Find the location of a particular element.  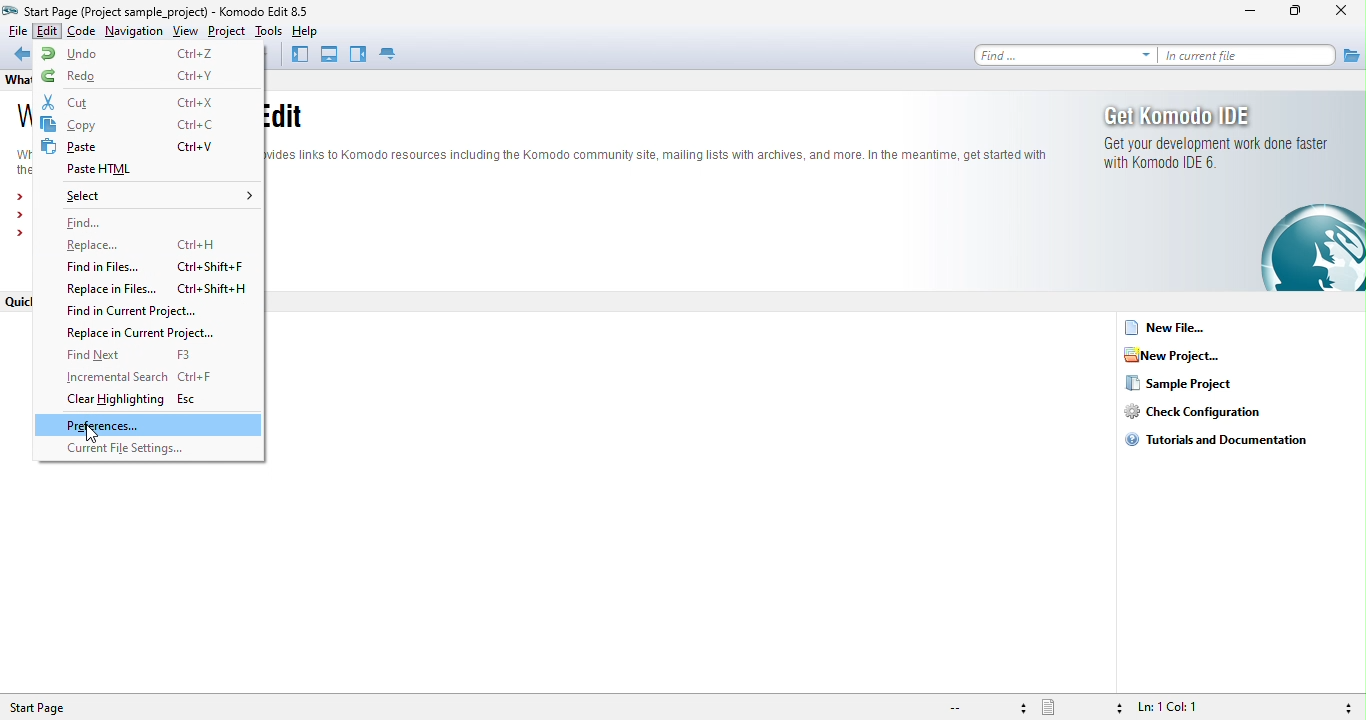

preferences is located at coordinates (152, 425).